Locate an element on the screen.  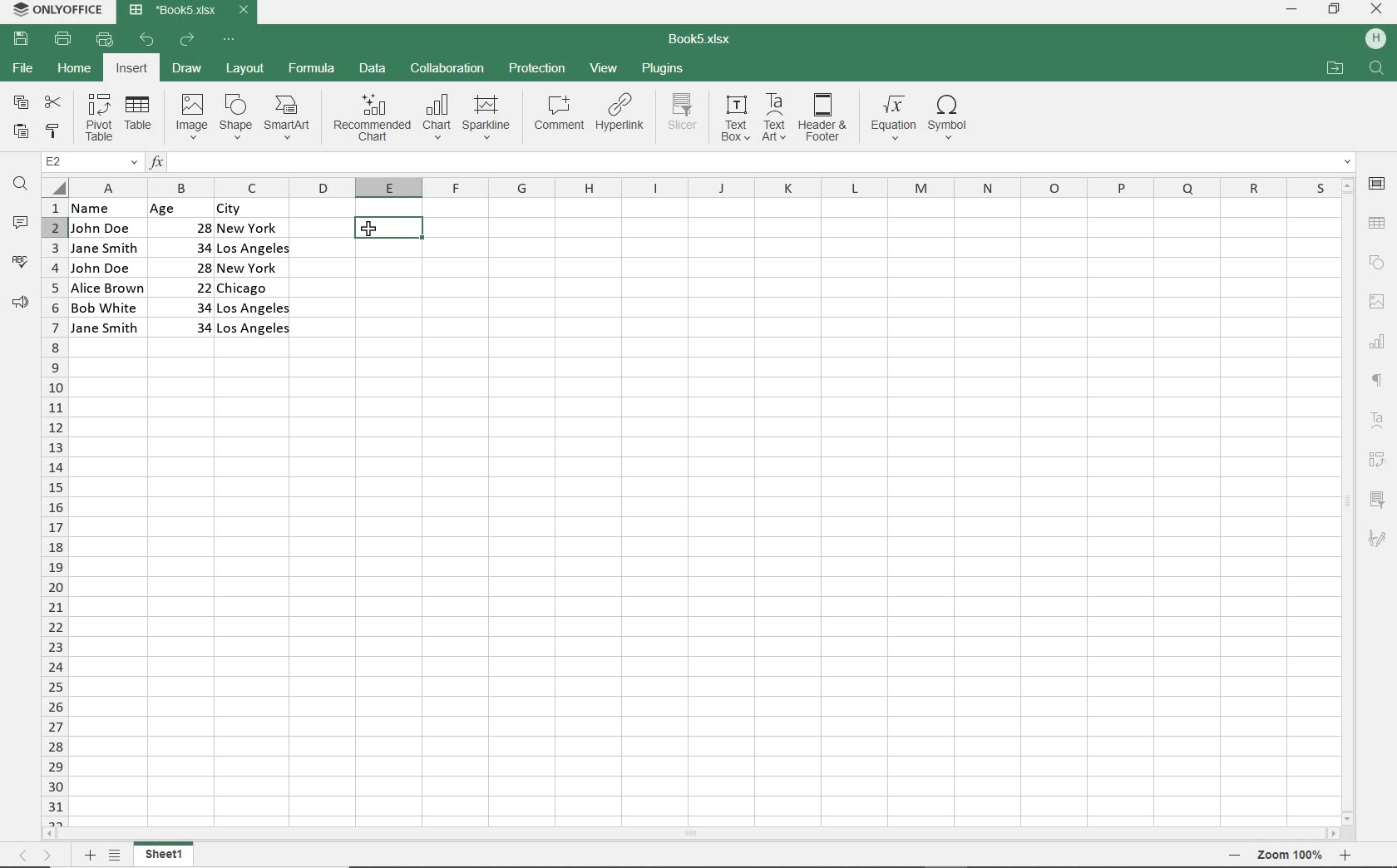
28 is located at coordinates (194, 226).